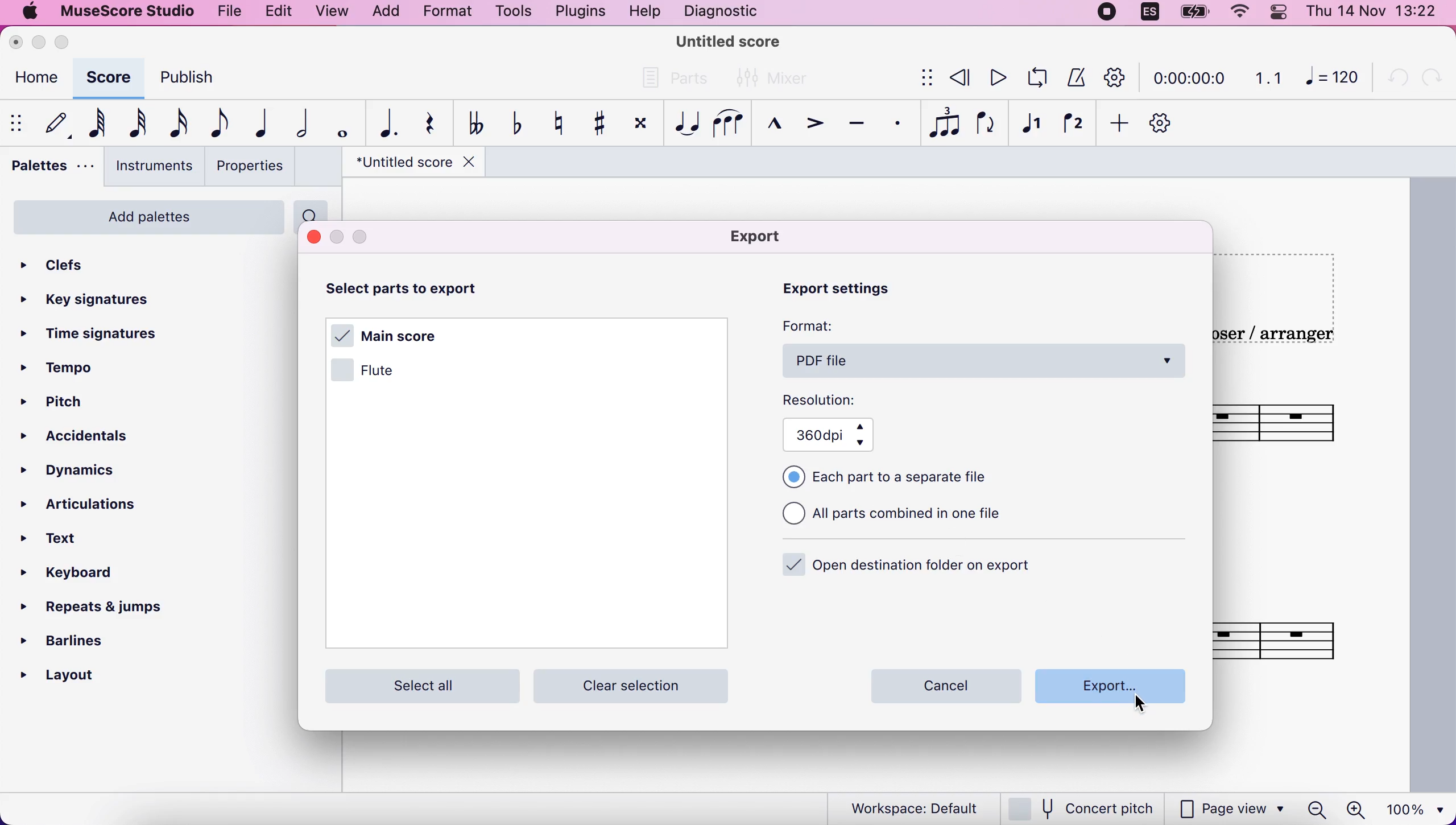 The width and height of the screenshot is (1456, 825). I want to click on tenuto, so click(857, 126).